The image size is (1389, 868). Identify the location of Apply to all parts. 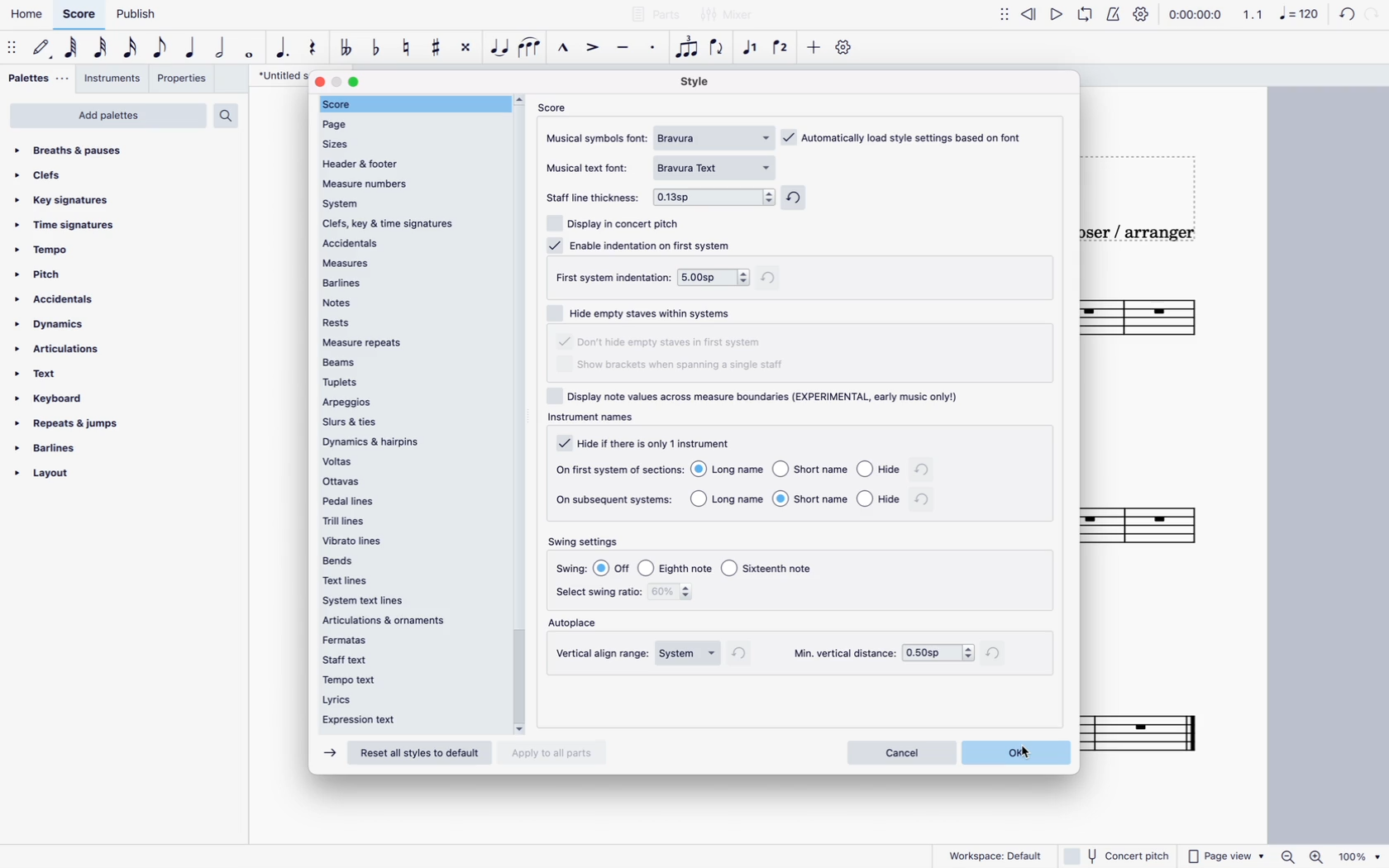
(553, 751).